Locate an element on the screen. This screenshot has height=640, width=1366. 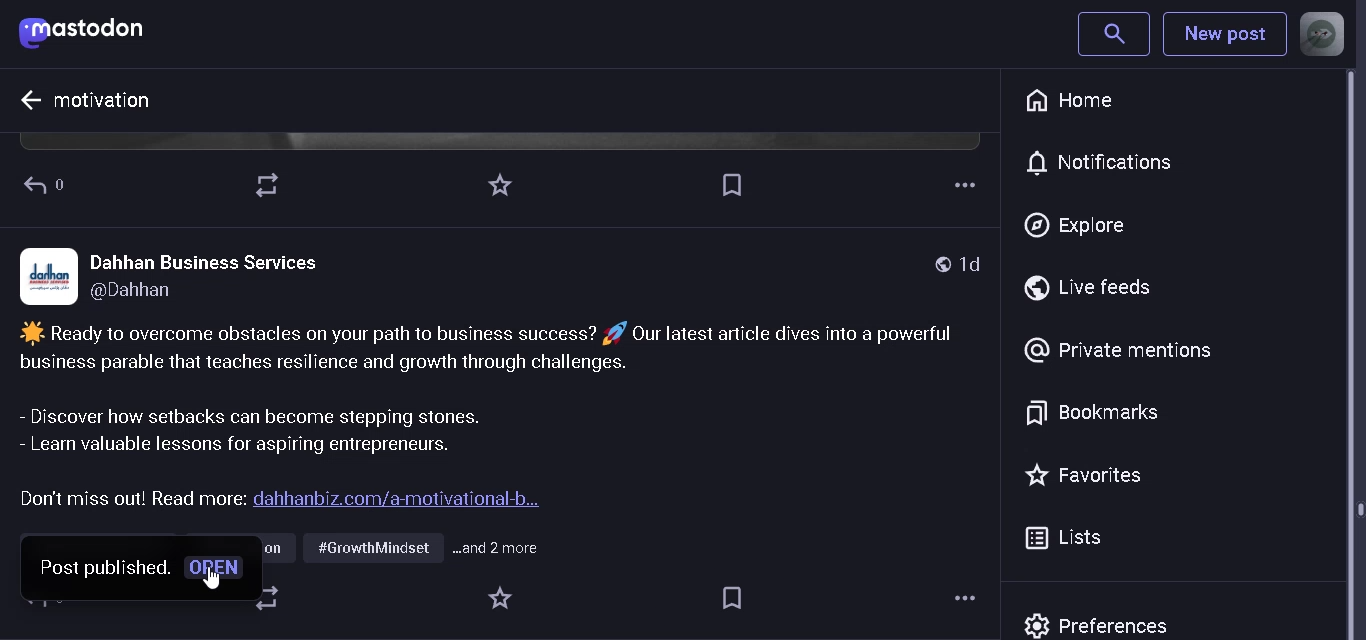
lists is located at coordinates (1067, 539).